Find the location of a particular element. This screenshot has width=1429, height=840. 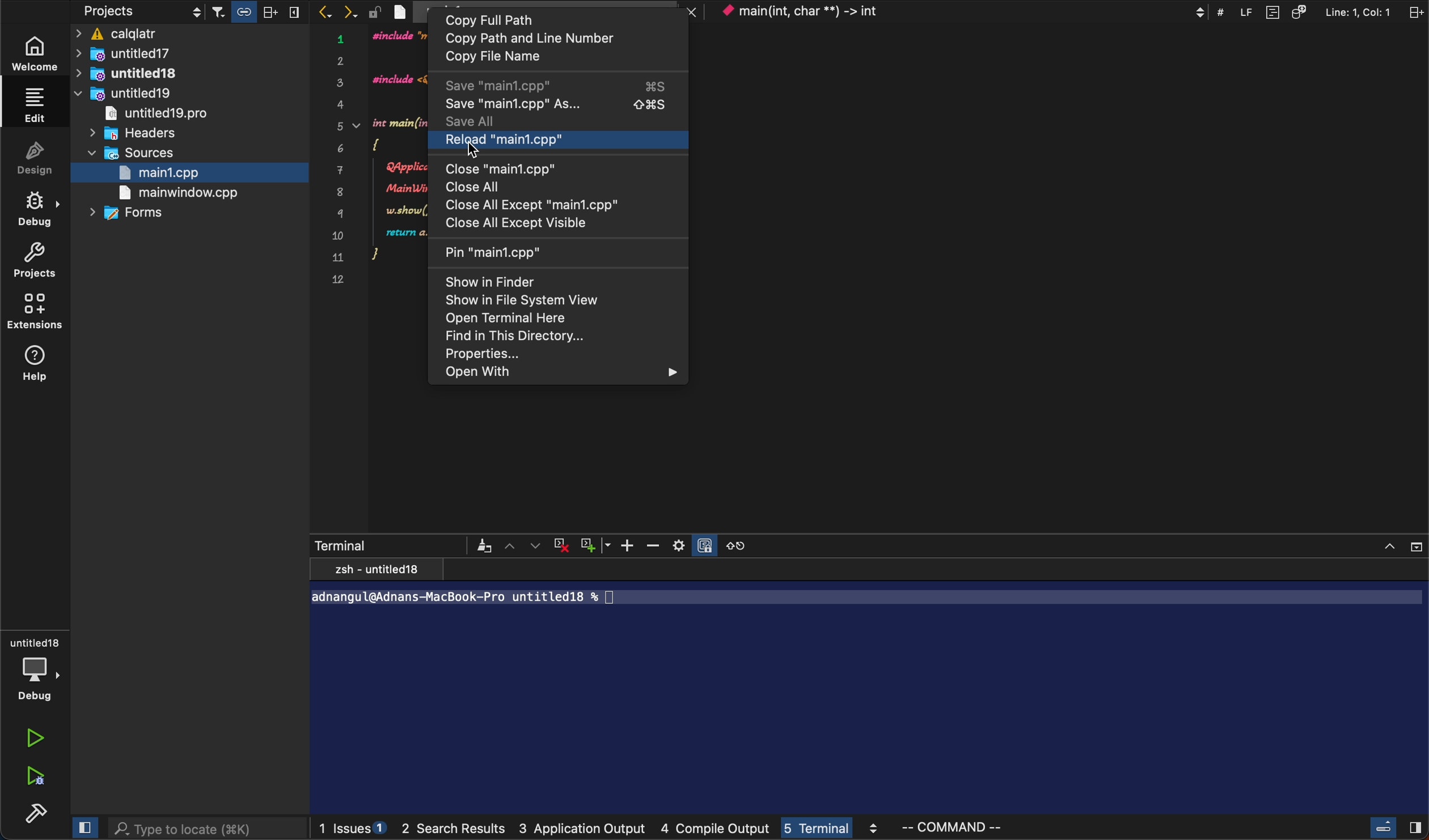

debug is located at coordinates (41, 211).